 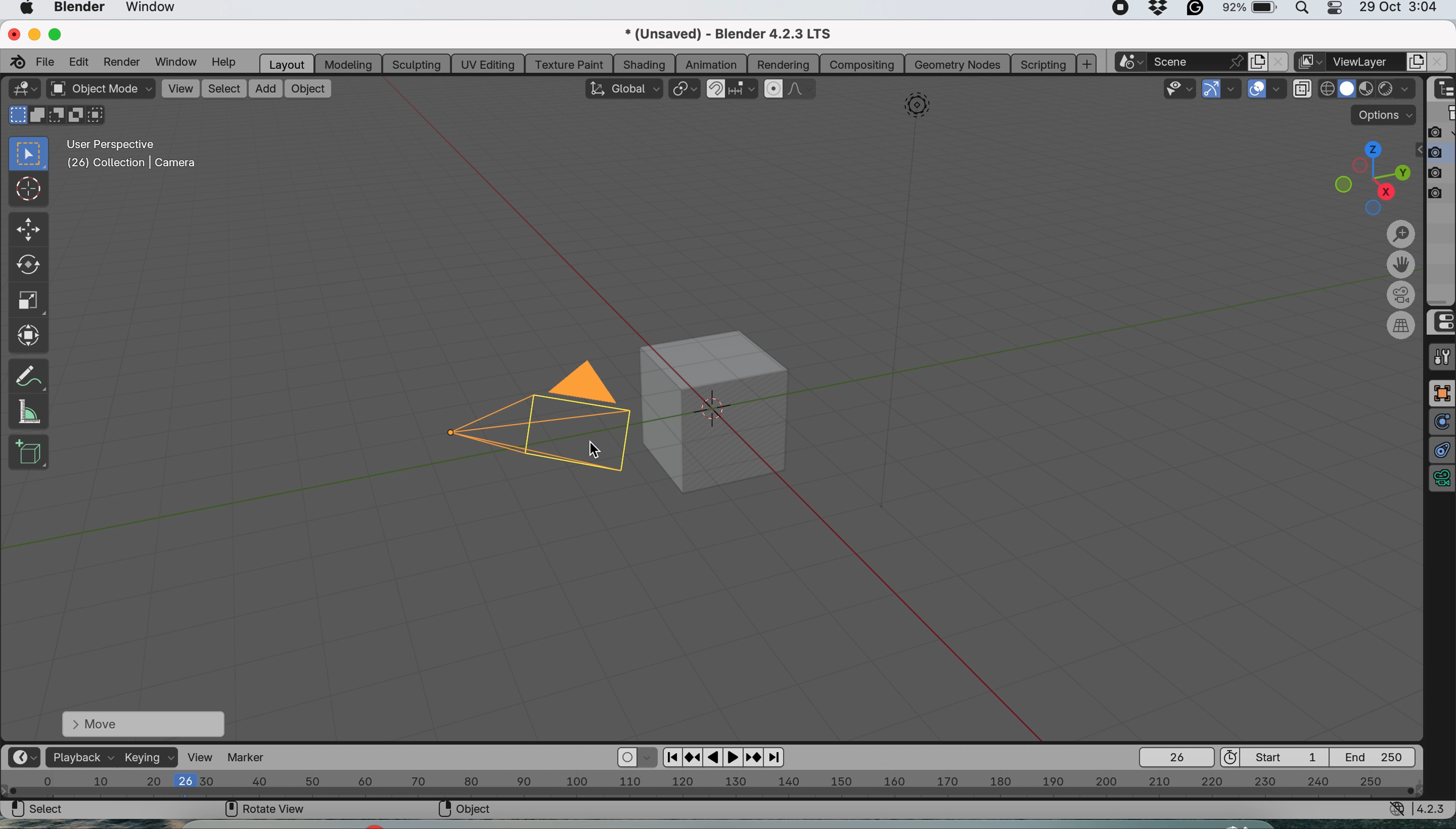 What do you see at coordinates (1212, 89) in the screenshot?
I see `show gizmos` at bounding box center [1212, 89].